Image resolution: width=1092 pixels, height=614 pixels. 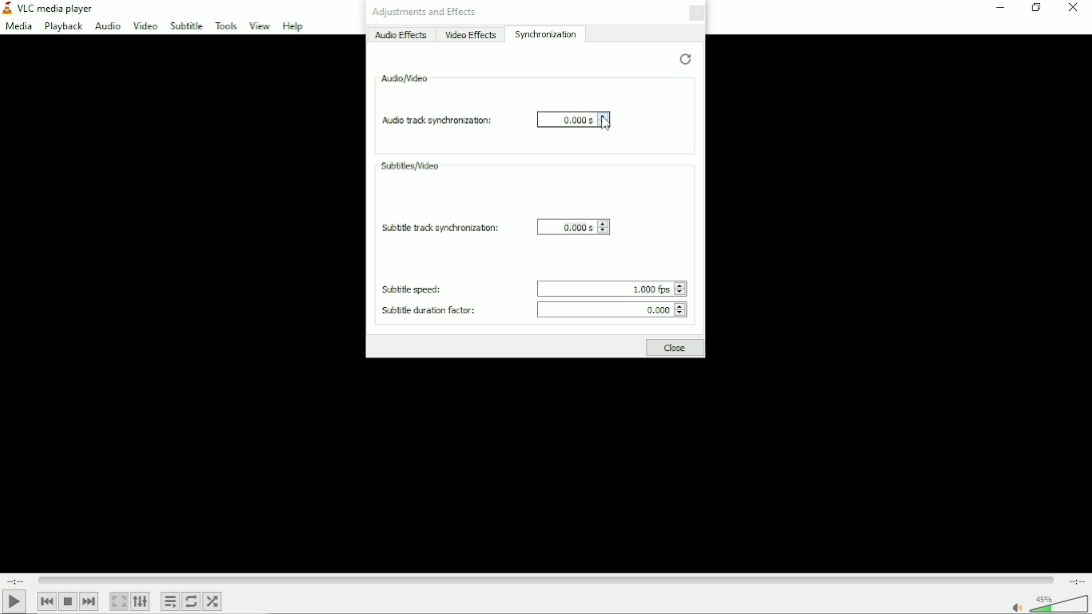 What do you see at coordinates (294, 26) in the screenshot?
I see `Help` at bounding box center [294, 26].